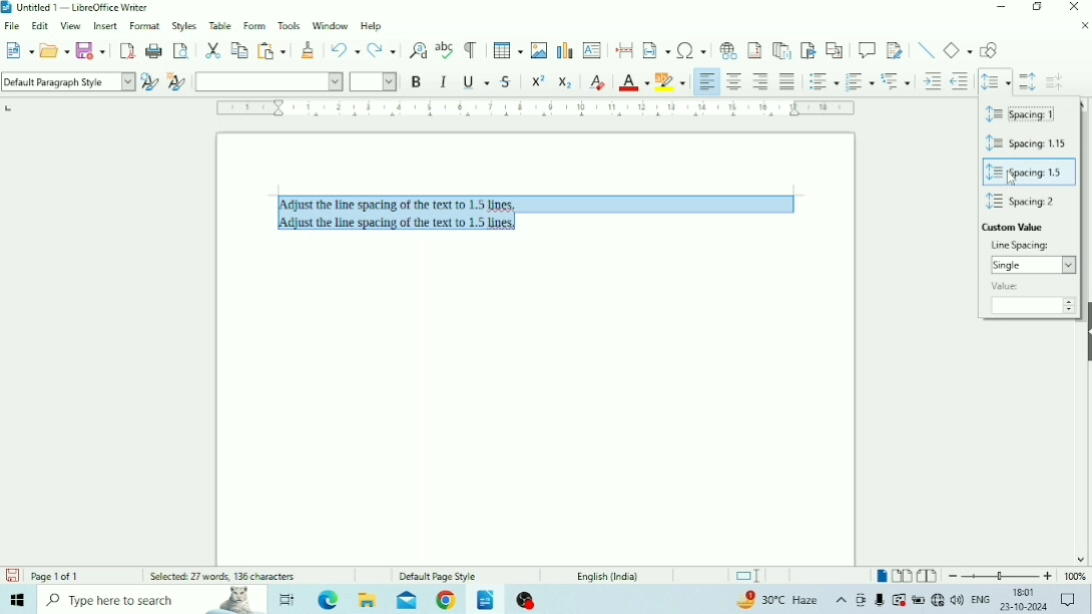 Image resolution: width=1092 pixels, height=614 pixels. I want to click on Copy, so click(239, 49).